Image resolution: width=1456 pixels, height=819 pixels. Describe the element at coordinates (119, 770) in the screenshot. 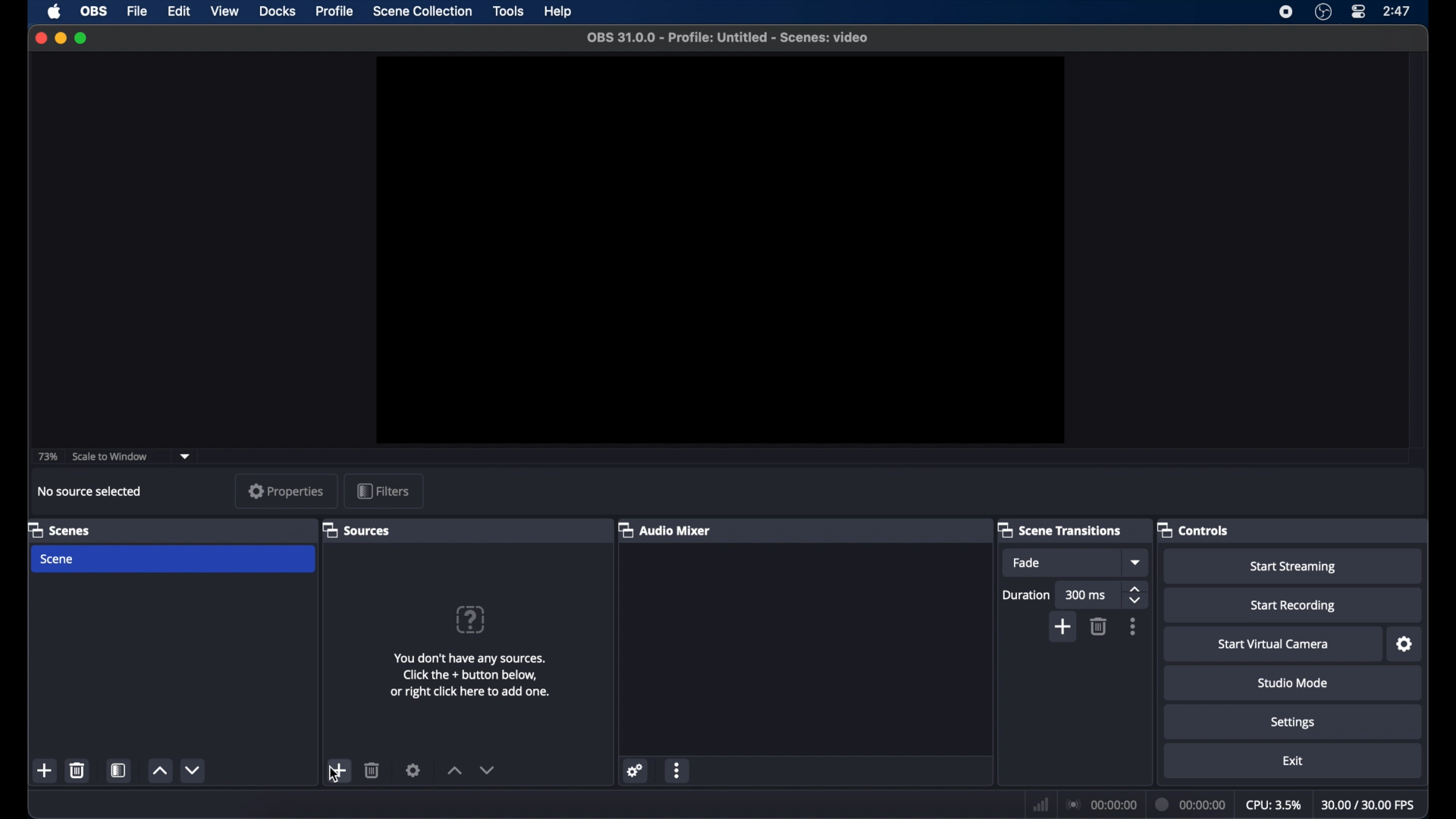

I see `scene filters` at that location.